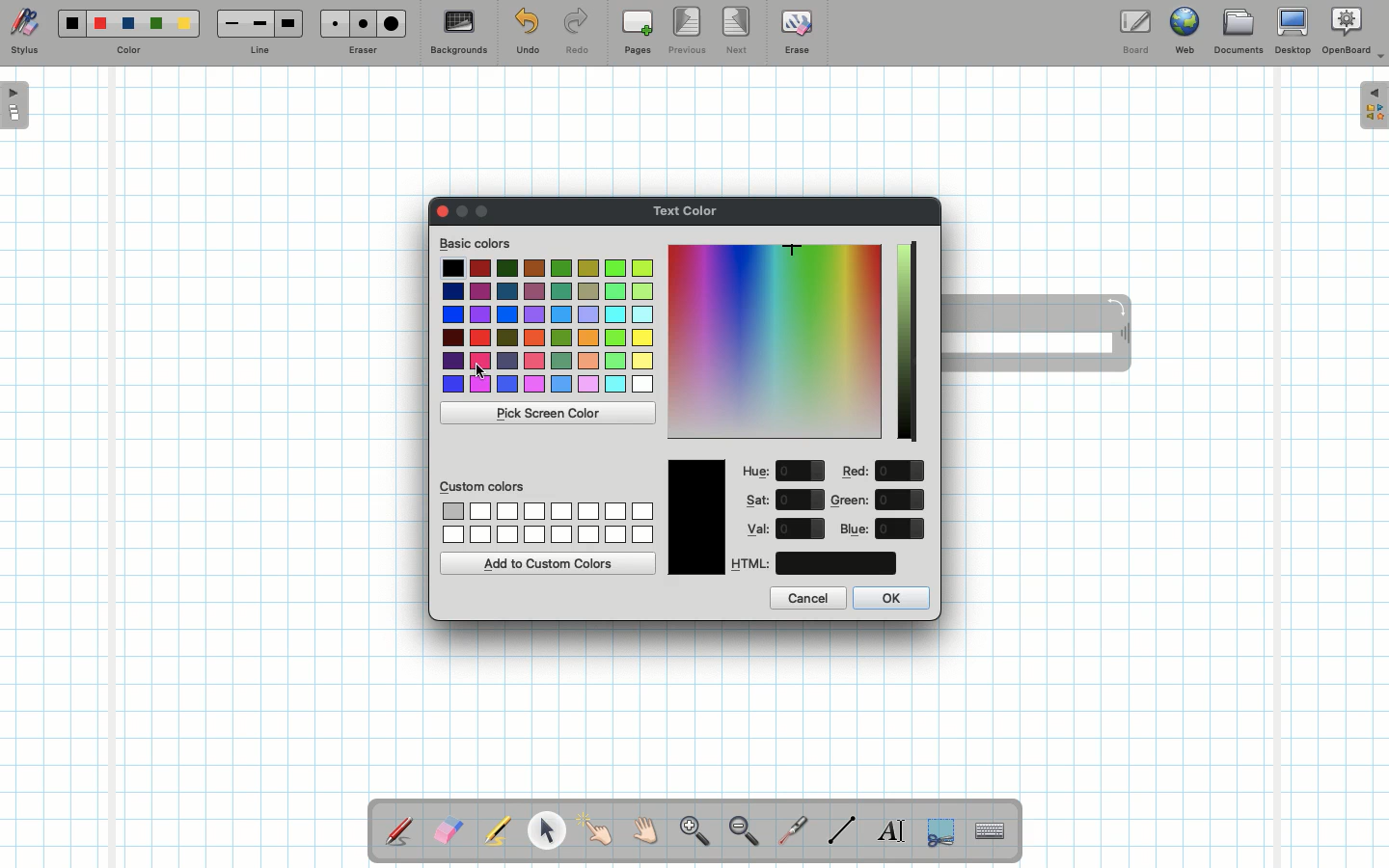  I want to click on Large eraser, so click(392, 23).